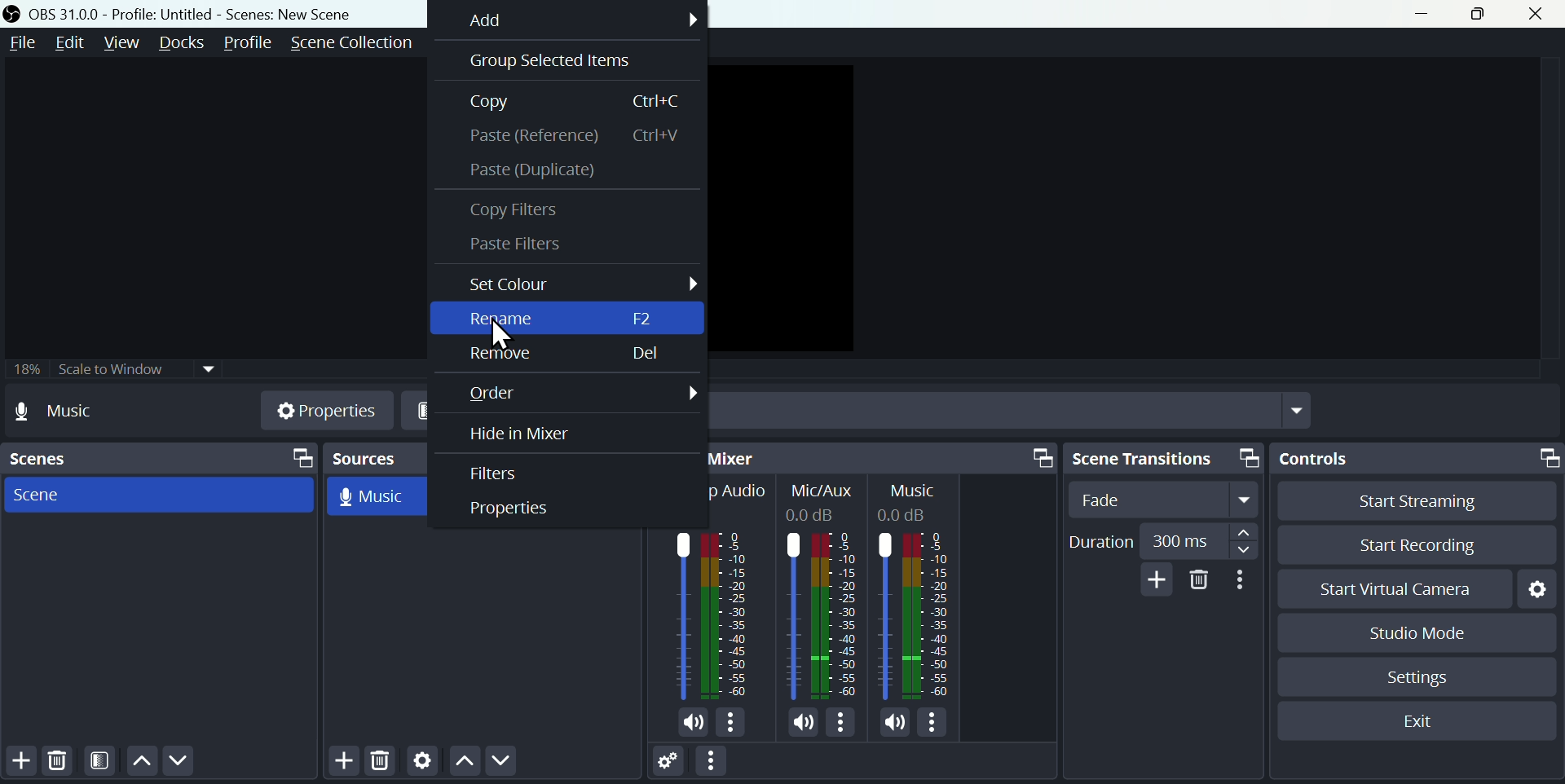 This screenshot has height=784, width=1565. I want to click on Remove, so click(556, 355).